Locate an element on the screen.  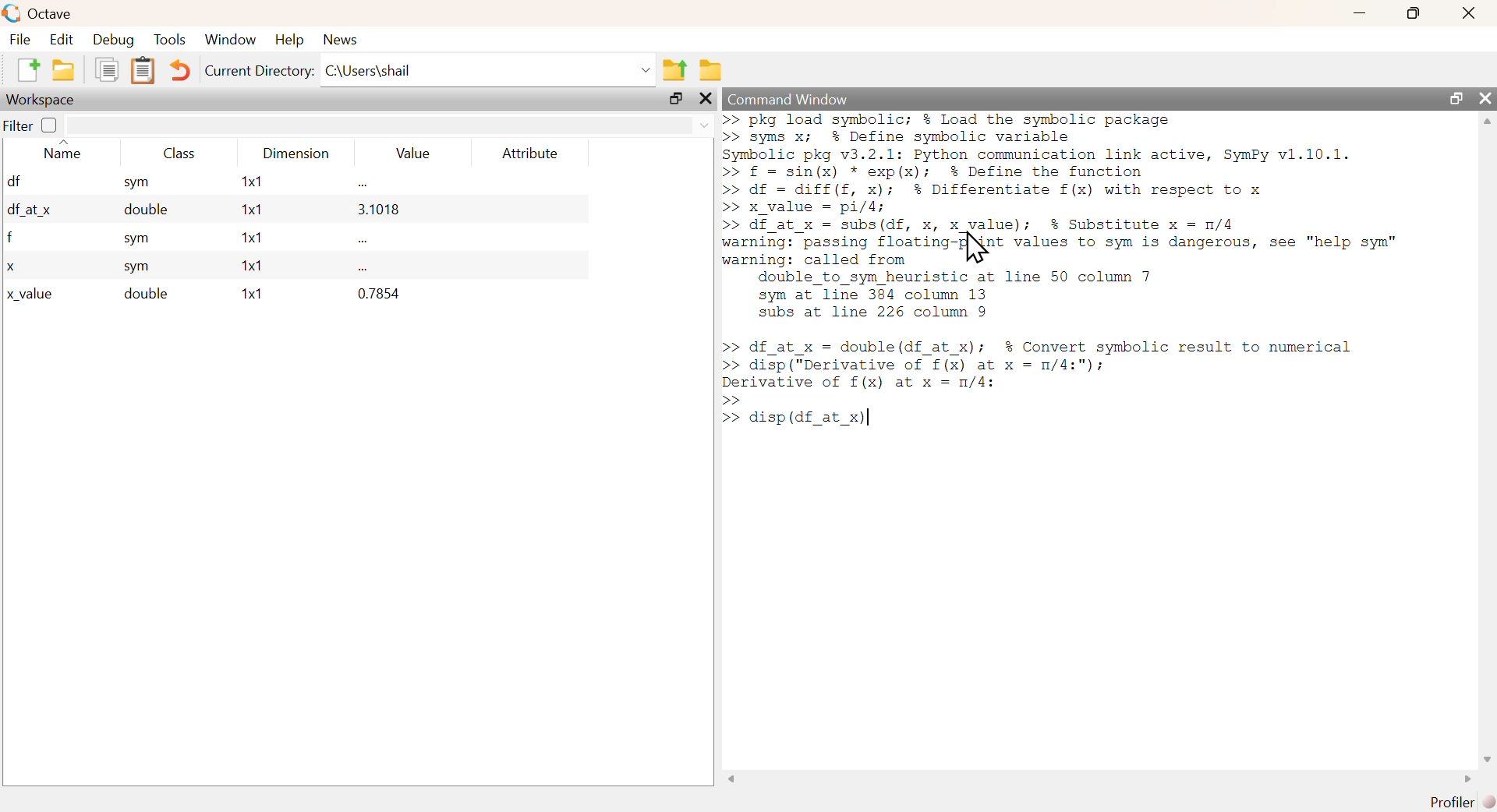
Edit is located at coordinates (58, 40).